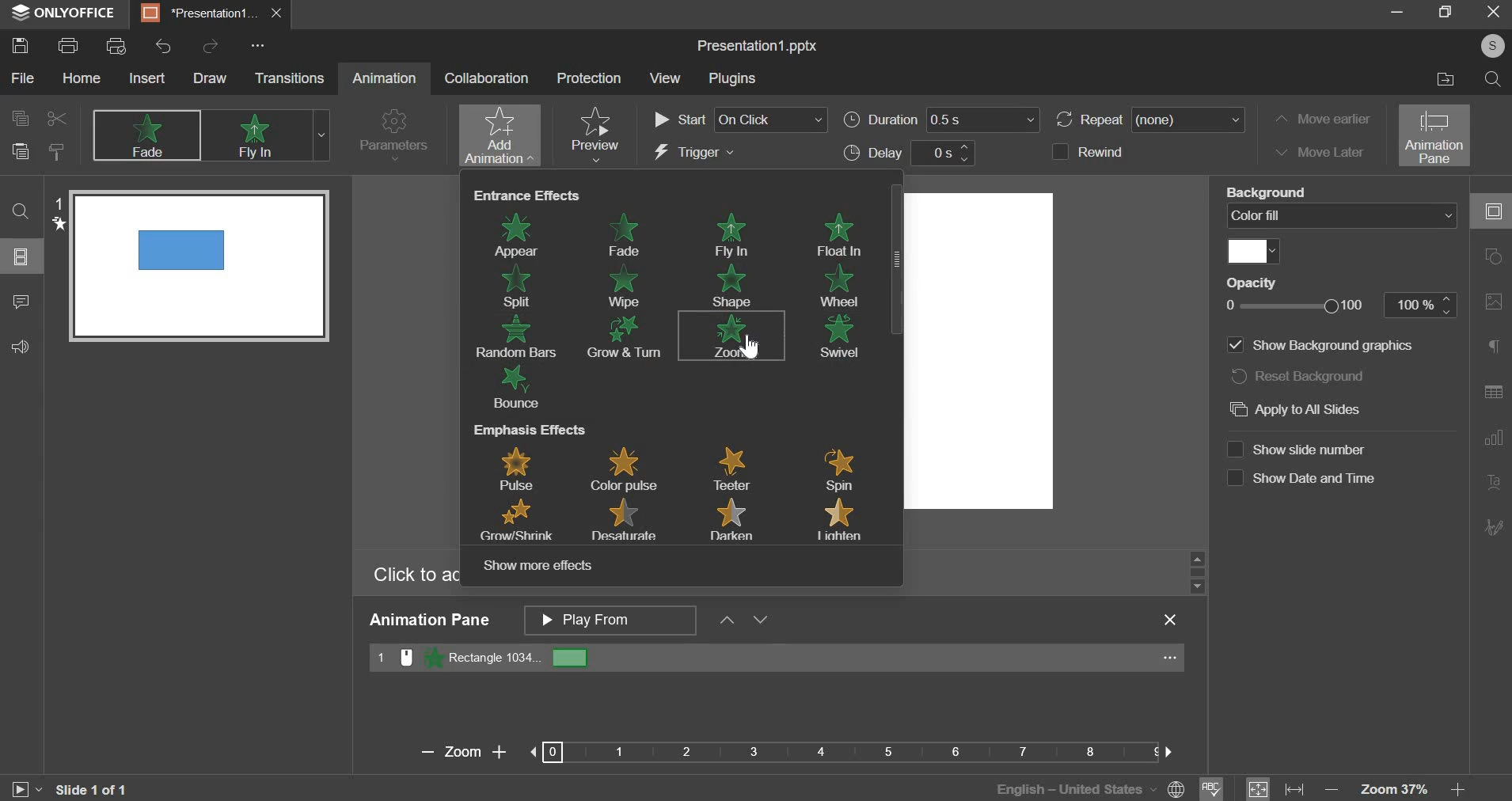  Describe the element at coordinates (23, 256) in the screenshot. I see `slides` at that location.